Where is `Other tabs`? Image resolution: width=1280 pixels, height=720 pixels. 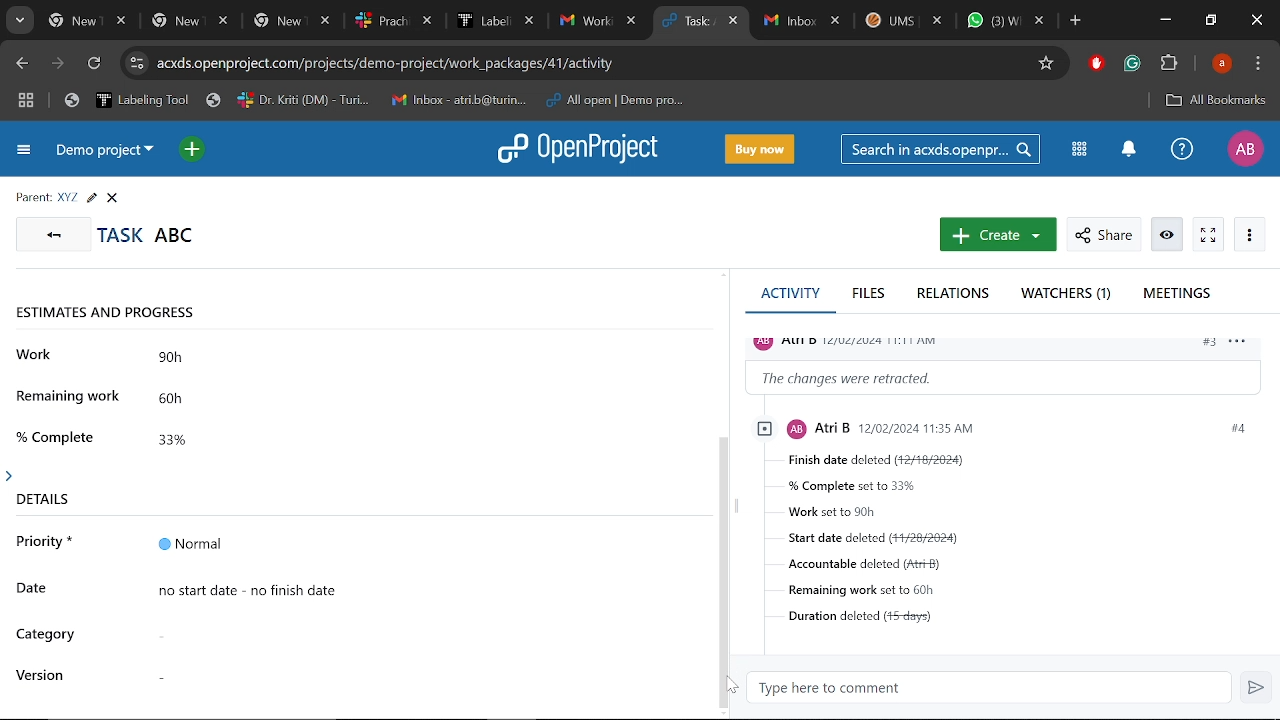 Other tabs is located at coordinates (905, 23).